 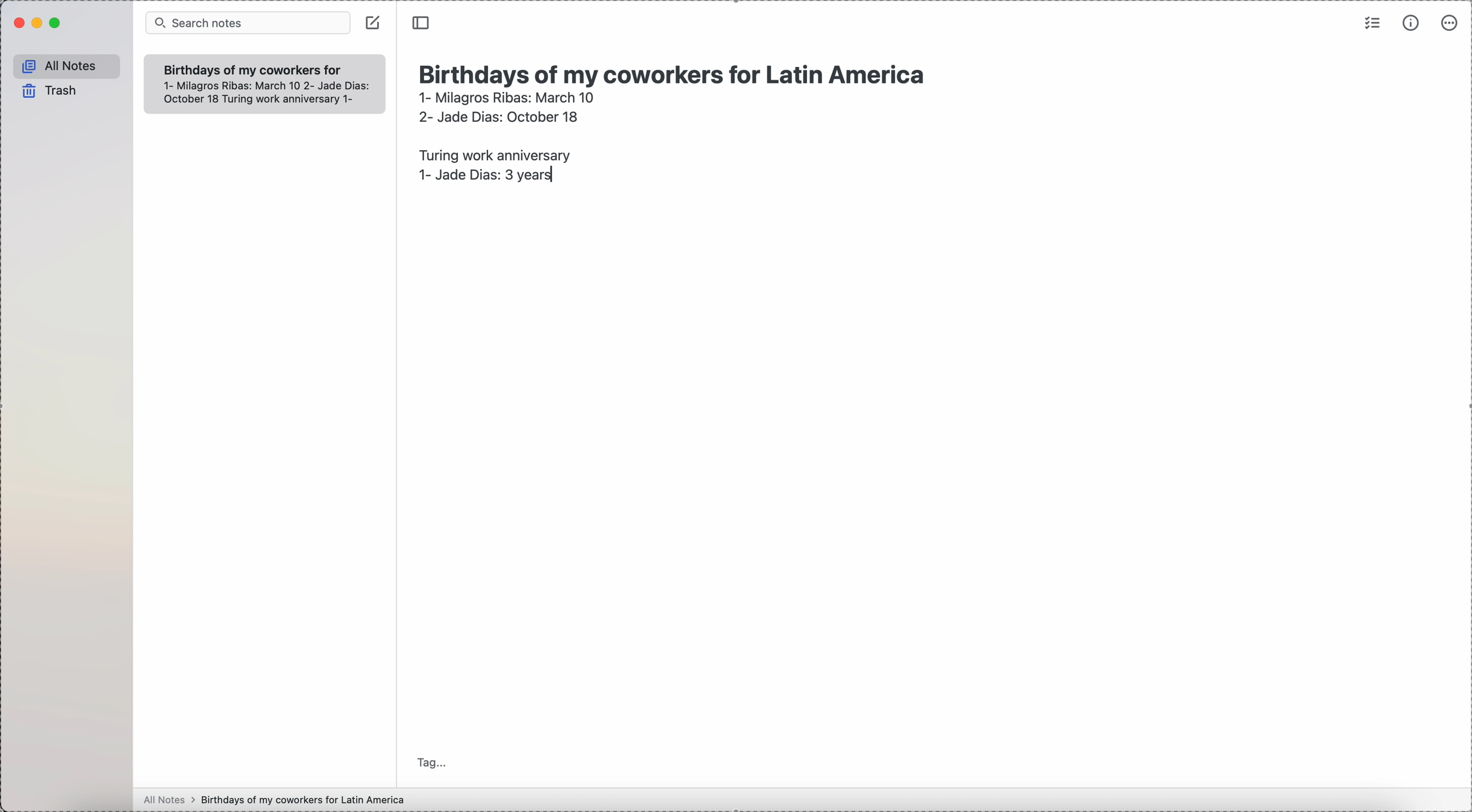 What do you see at coordinates (251, 69) in the screenshot?
I see `Birthdays of my coworkers for Latin America` at bounding box center [251, 69].